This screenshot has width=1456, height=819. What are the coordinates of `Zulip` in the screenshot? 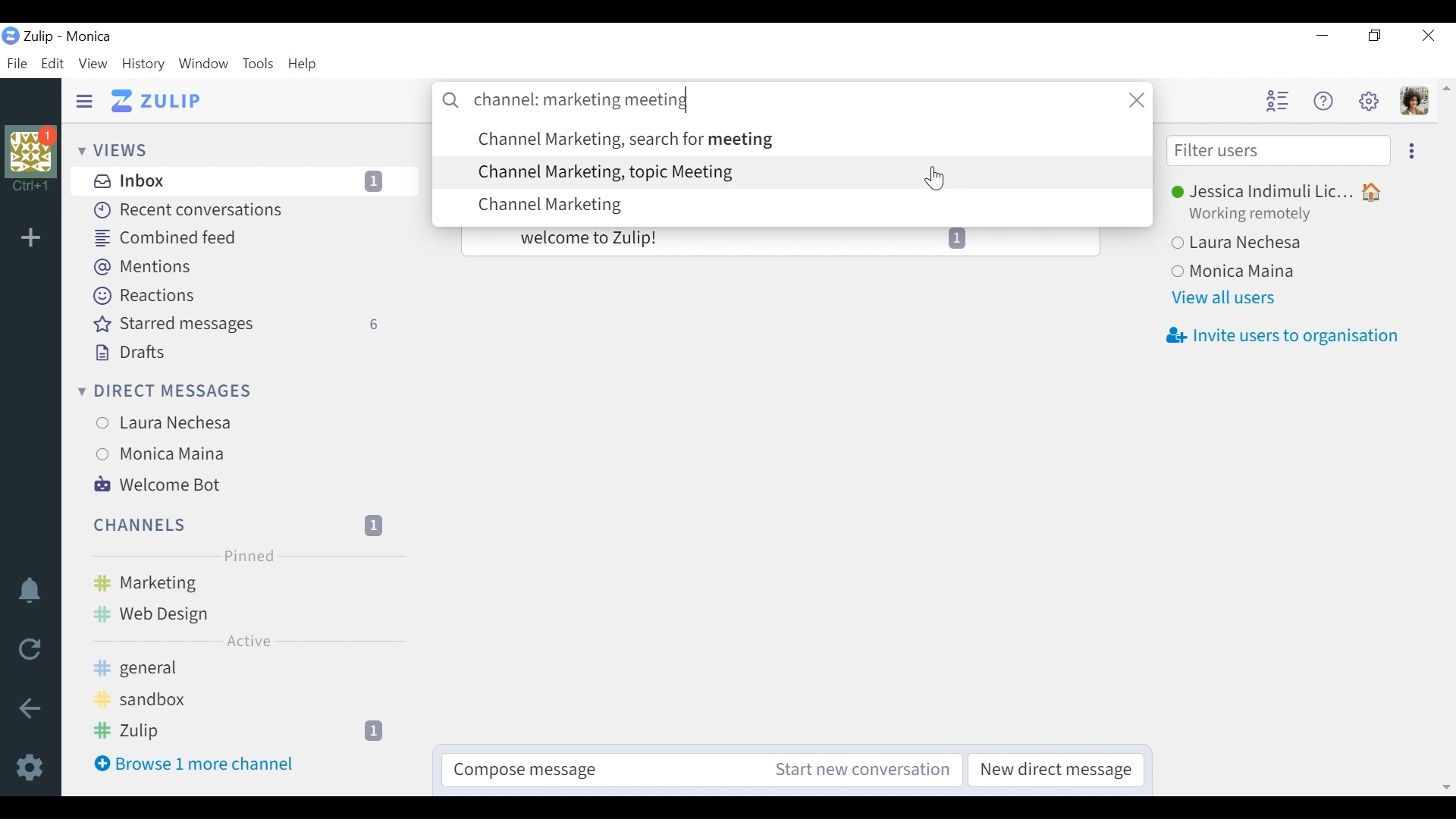 It's located at (249, 731).